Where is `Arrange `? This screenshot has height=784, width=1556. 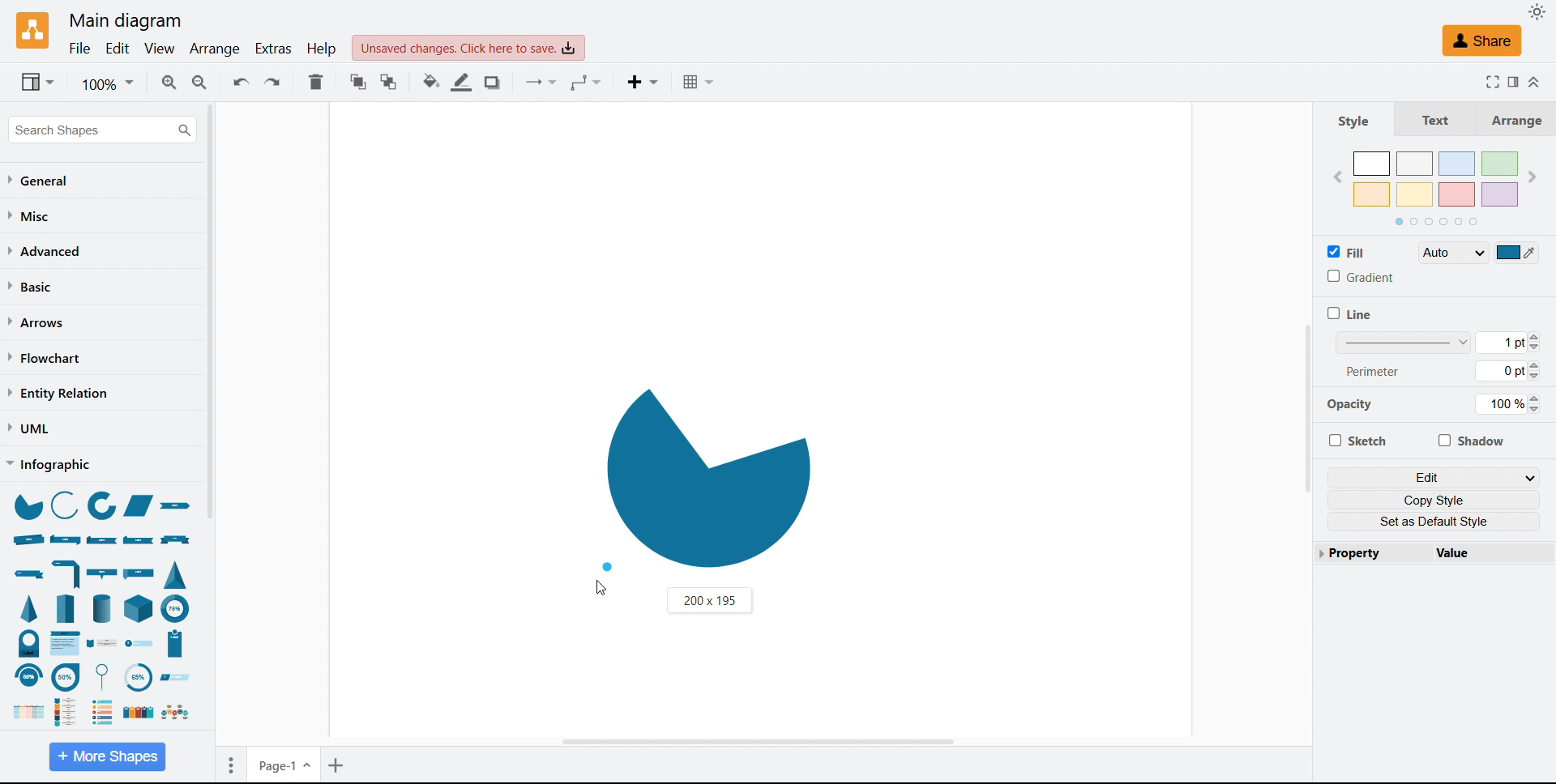
Arrange  is located at coordinates (216, 50).